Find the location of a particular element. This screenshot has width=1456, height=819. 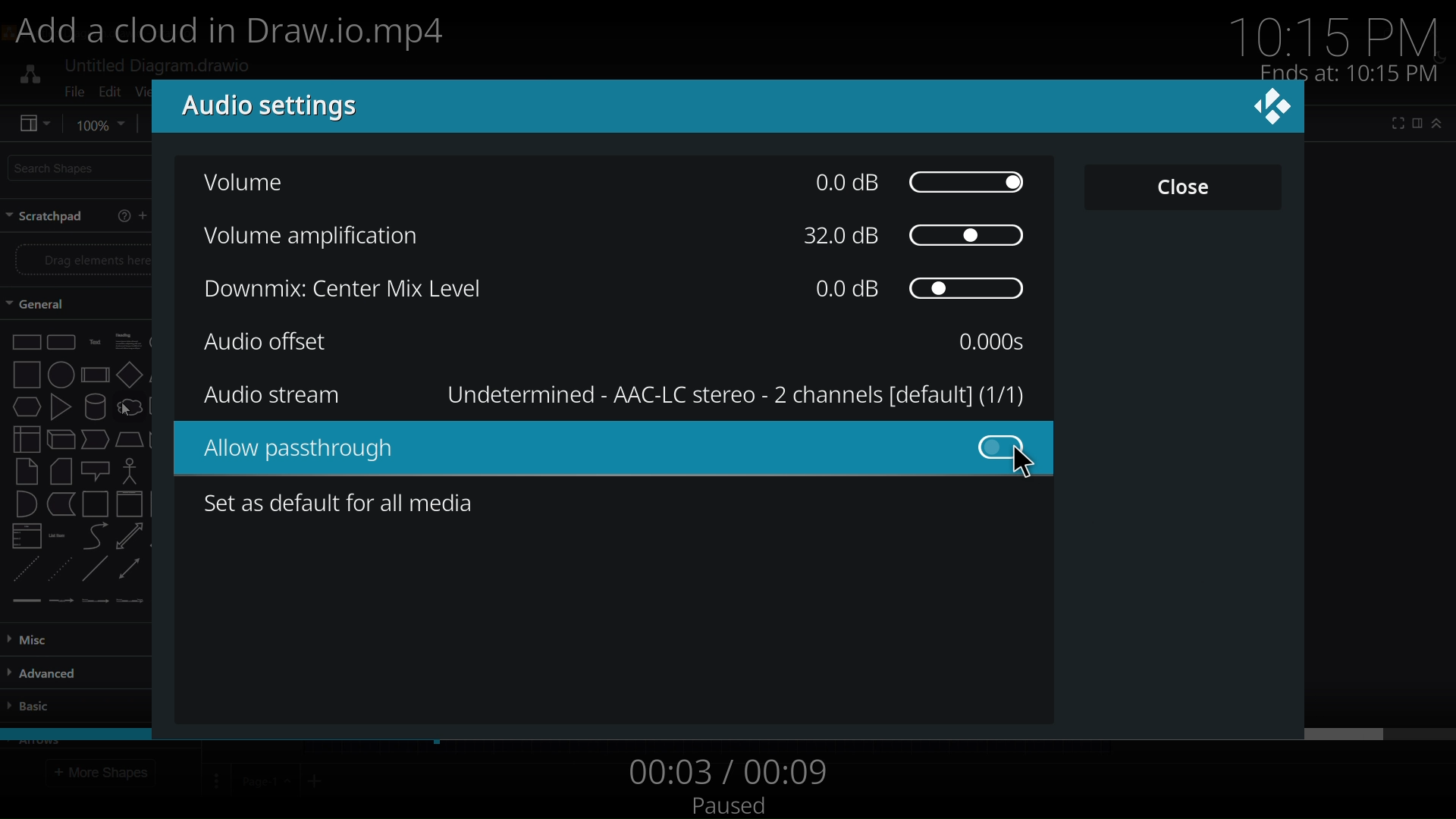

audio offset is located at coordinates (264, 344).